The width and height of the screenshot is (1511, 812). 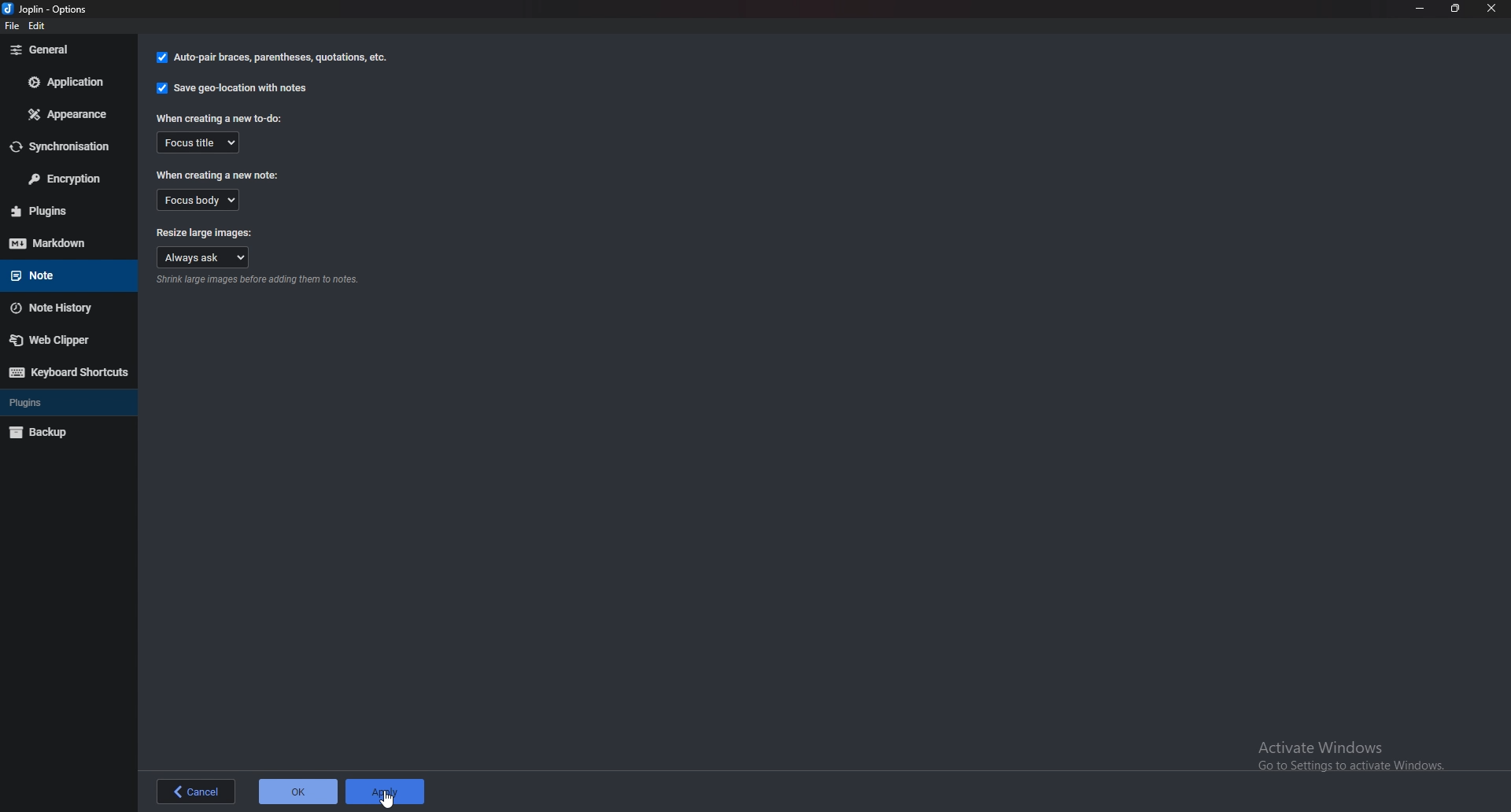 What do you see at coordinates (261, 281) in the screenshot?
I see `info` at bounding box center [261, 281].